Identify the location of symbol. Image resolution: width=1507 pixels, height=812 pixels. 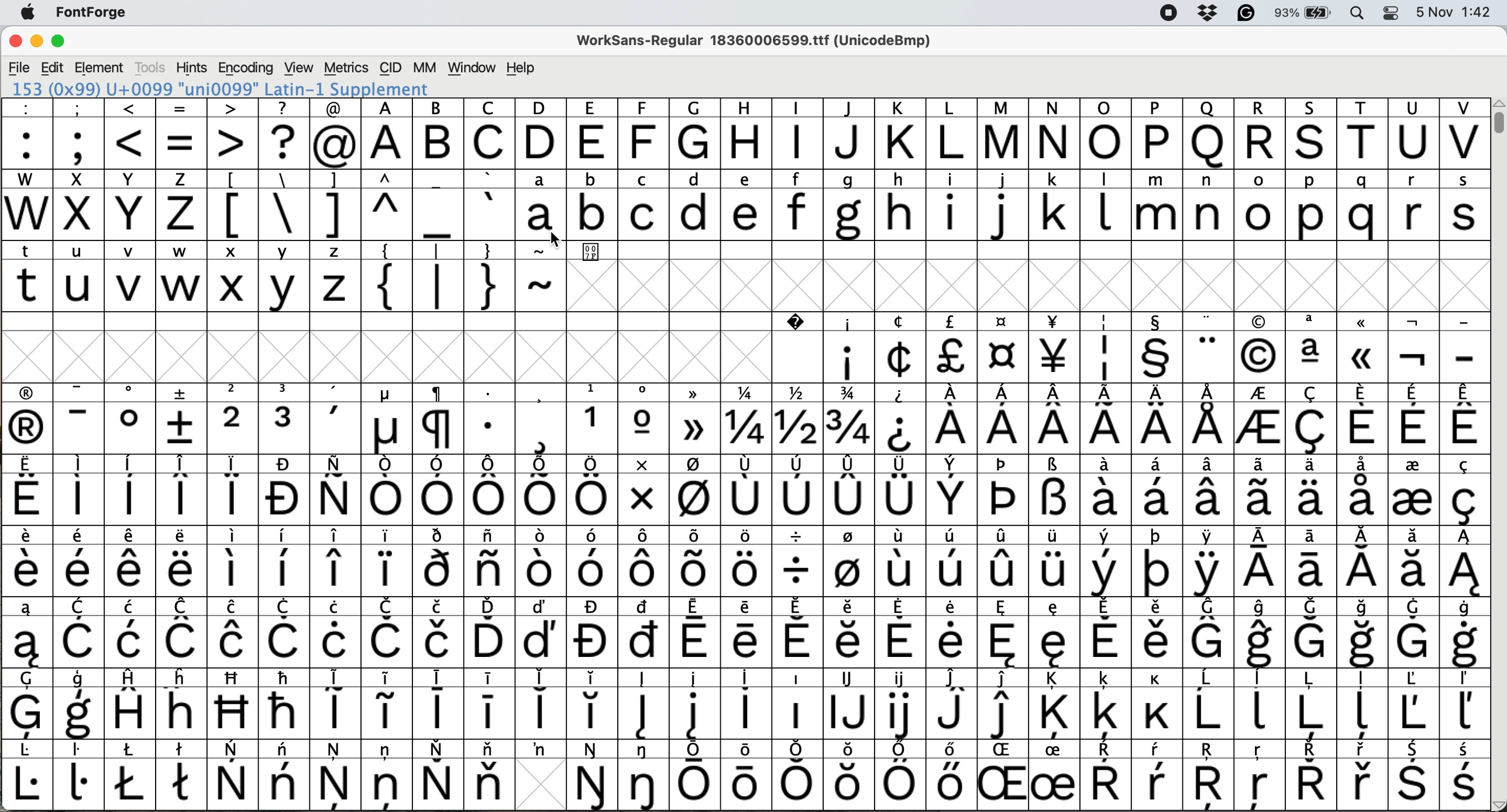
(1156, 561).